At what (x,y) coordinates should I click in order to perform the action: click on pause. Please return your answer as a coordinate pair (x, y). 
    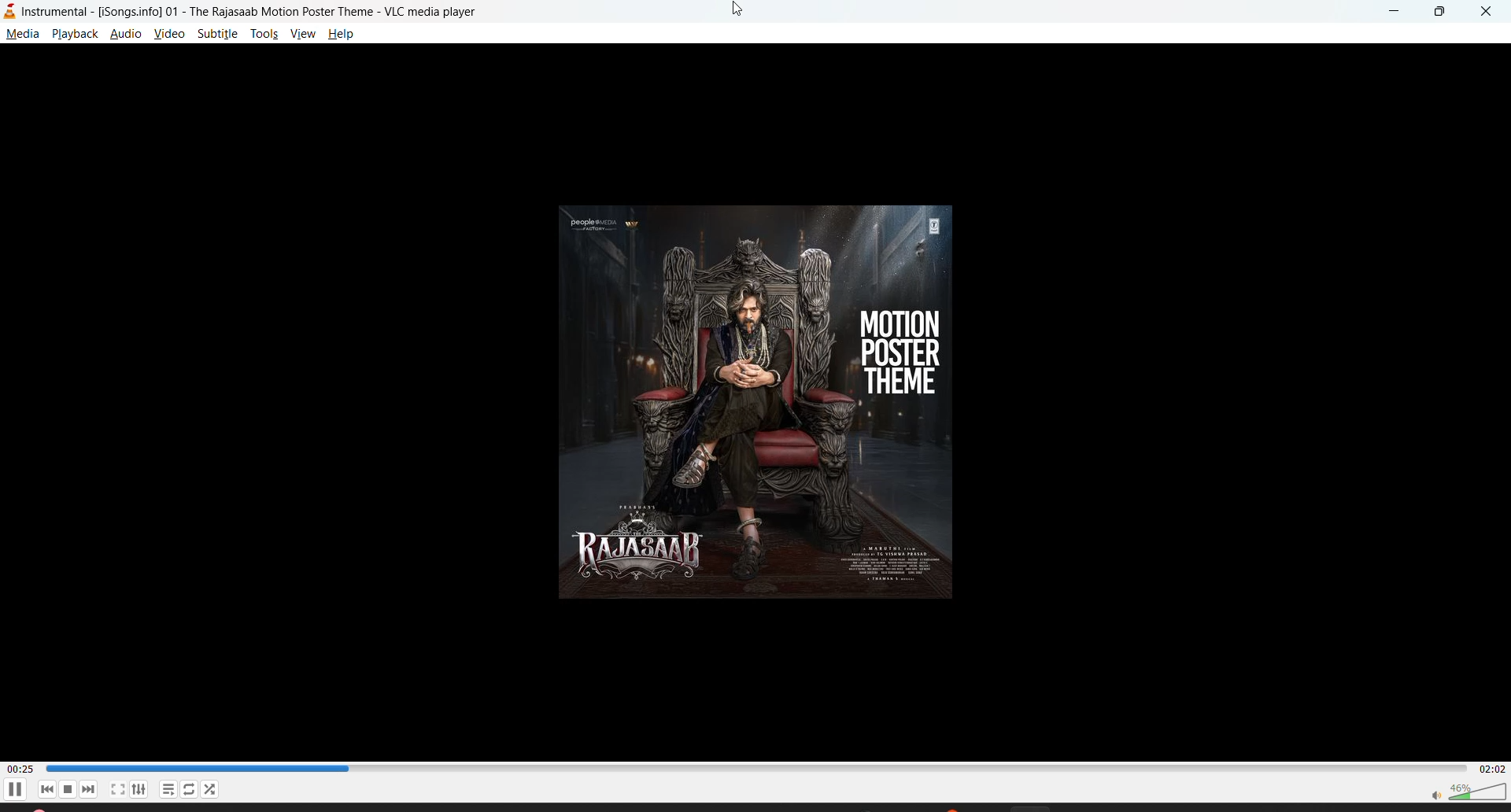
    Looking at the image, I should click on (17, 792).